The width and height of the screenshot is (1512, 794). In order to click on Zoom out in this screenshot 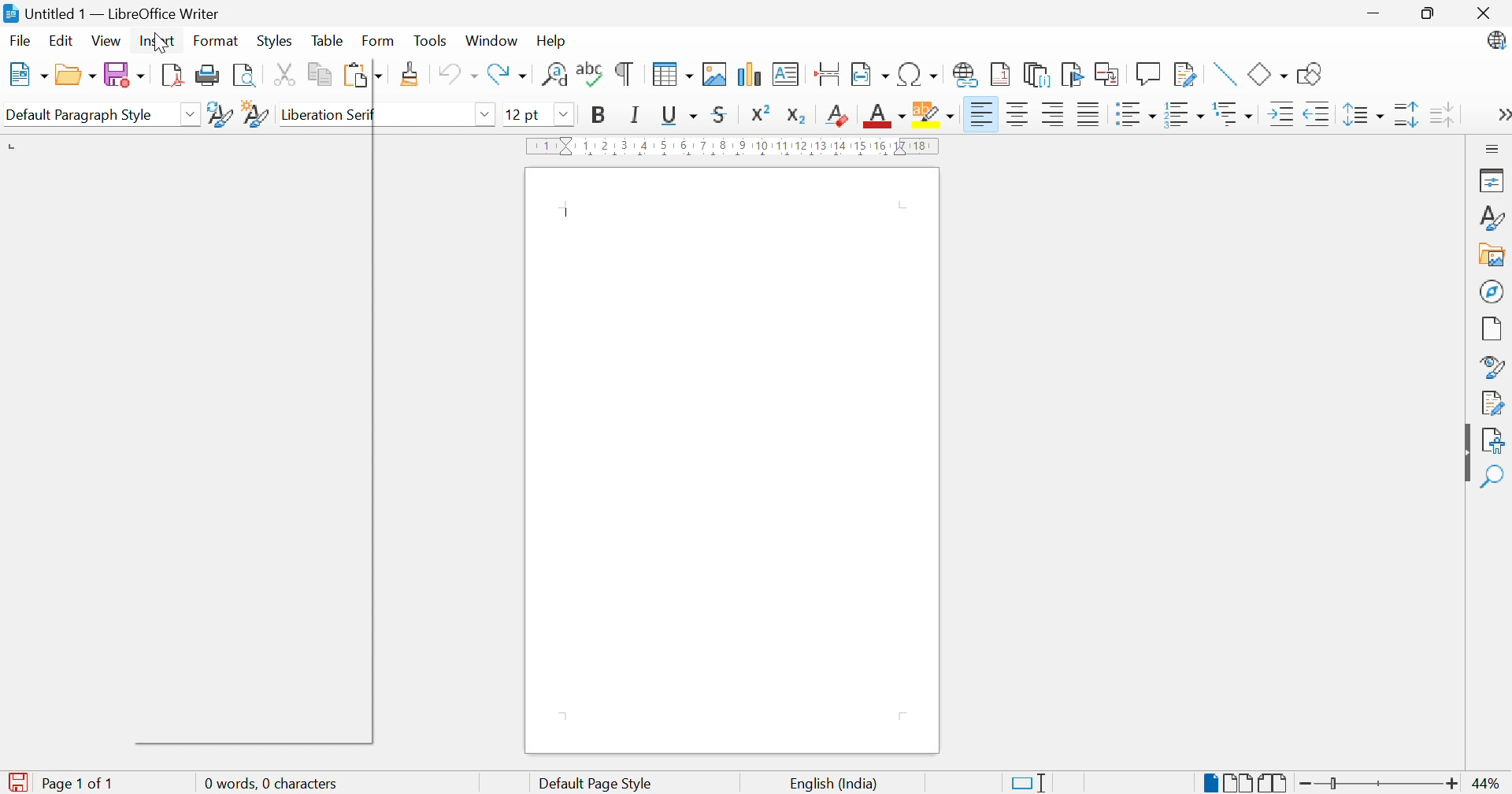, I will do `click(1308, 785)`.